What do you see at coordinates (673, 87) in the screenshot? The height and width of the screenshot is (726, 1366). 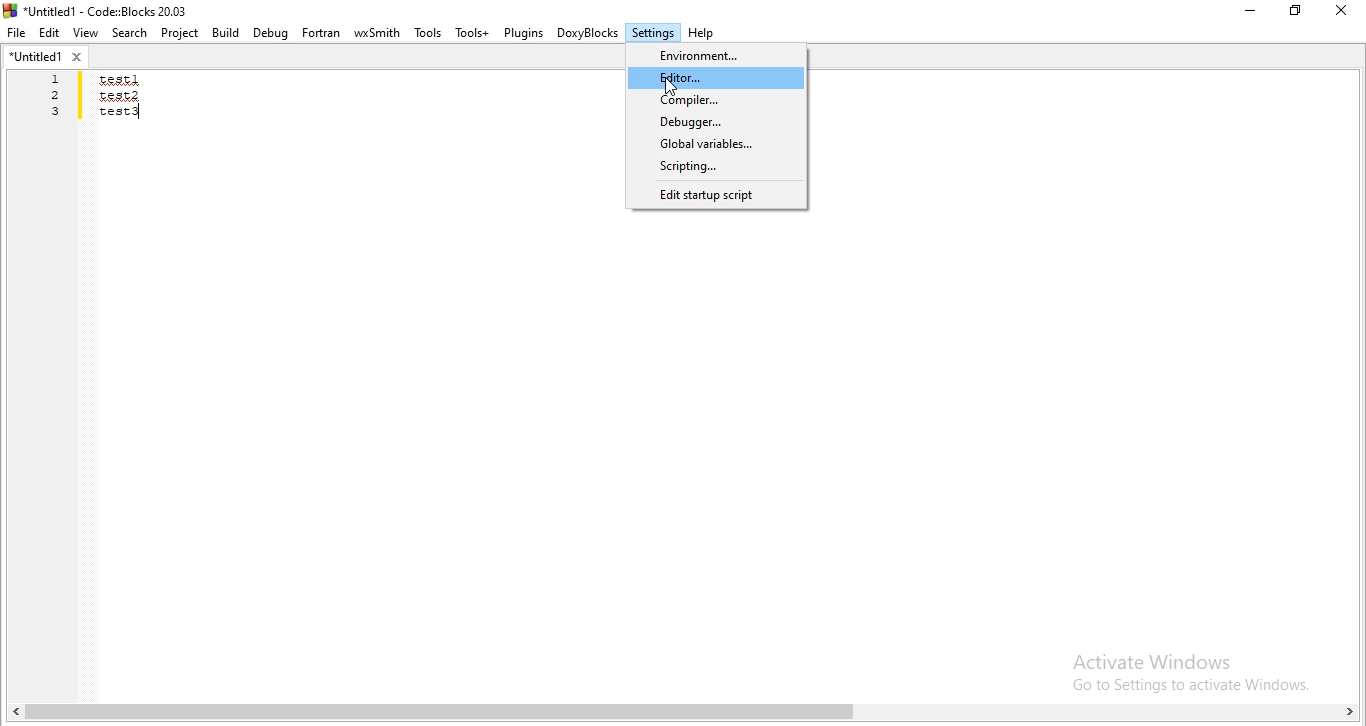 I see `Cursor on Editor` at bounding box center [673, 87].